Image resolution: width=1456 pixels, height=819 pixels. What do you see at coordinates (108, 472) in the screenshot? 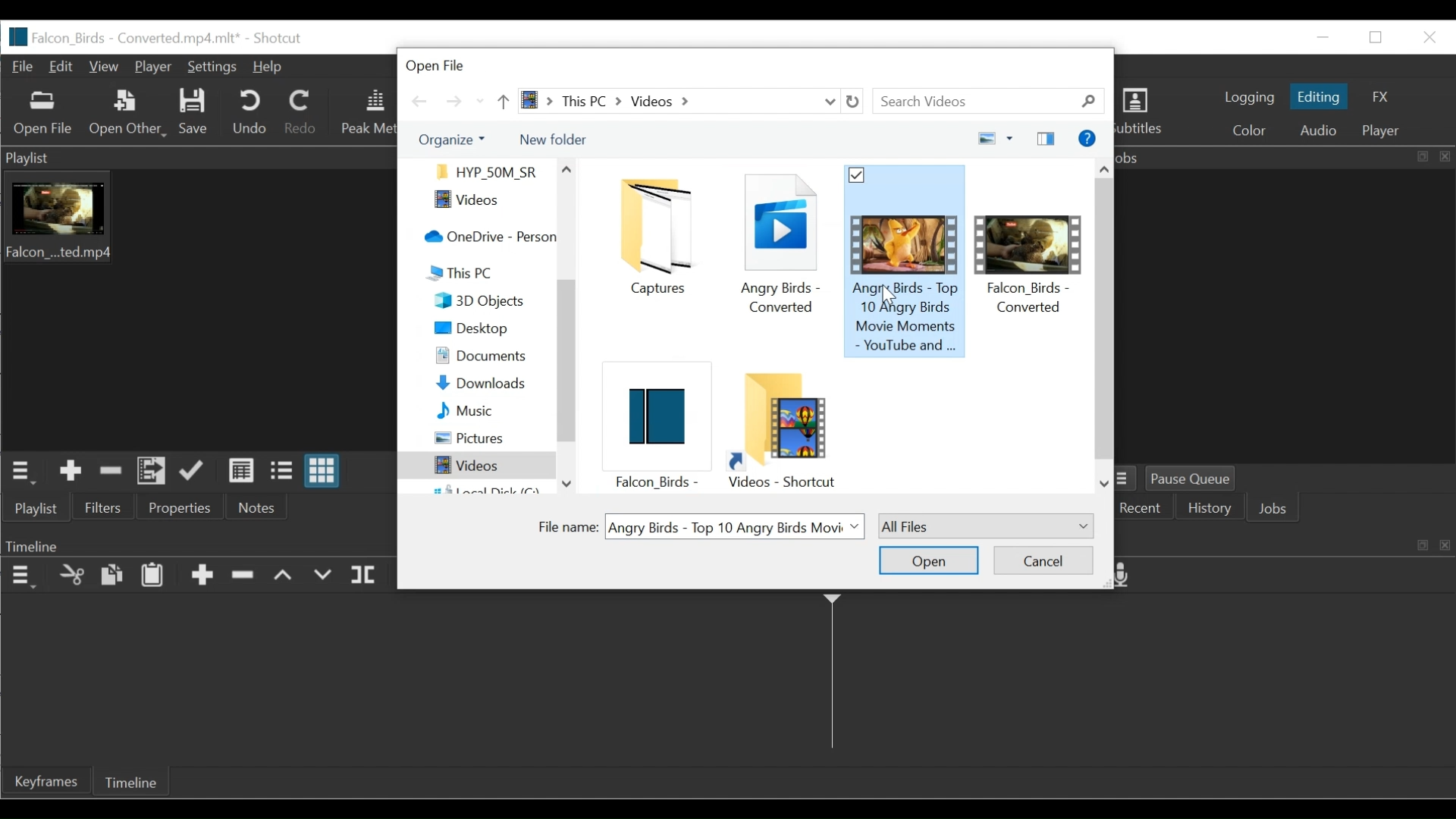
I see `Remove cut` at bounding box center [108, 472].